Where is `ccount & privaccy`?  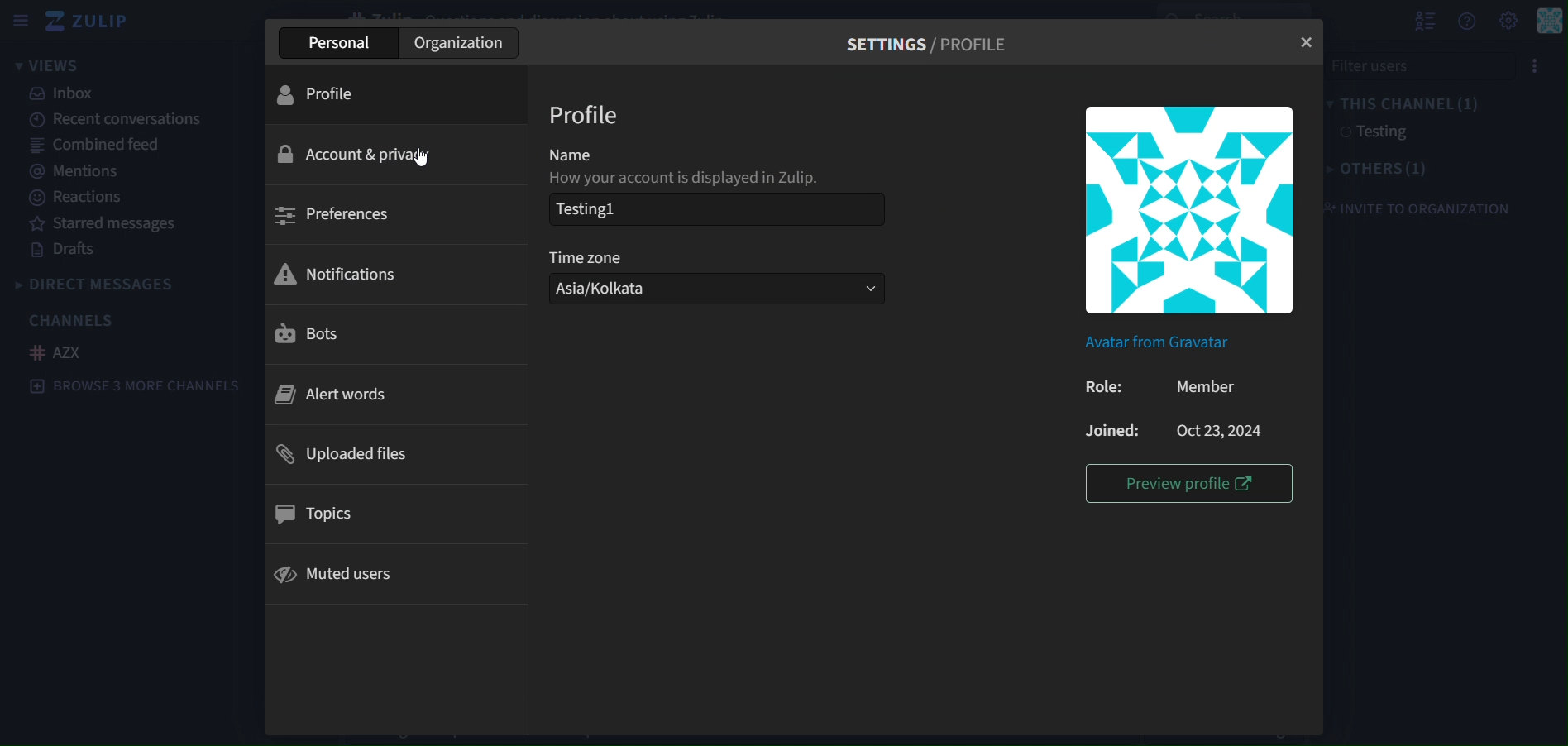
ccount & privaccy is located at coordinates (358, 155).